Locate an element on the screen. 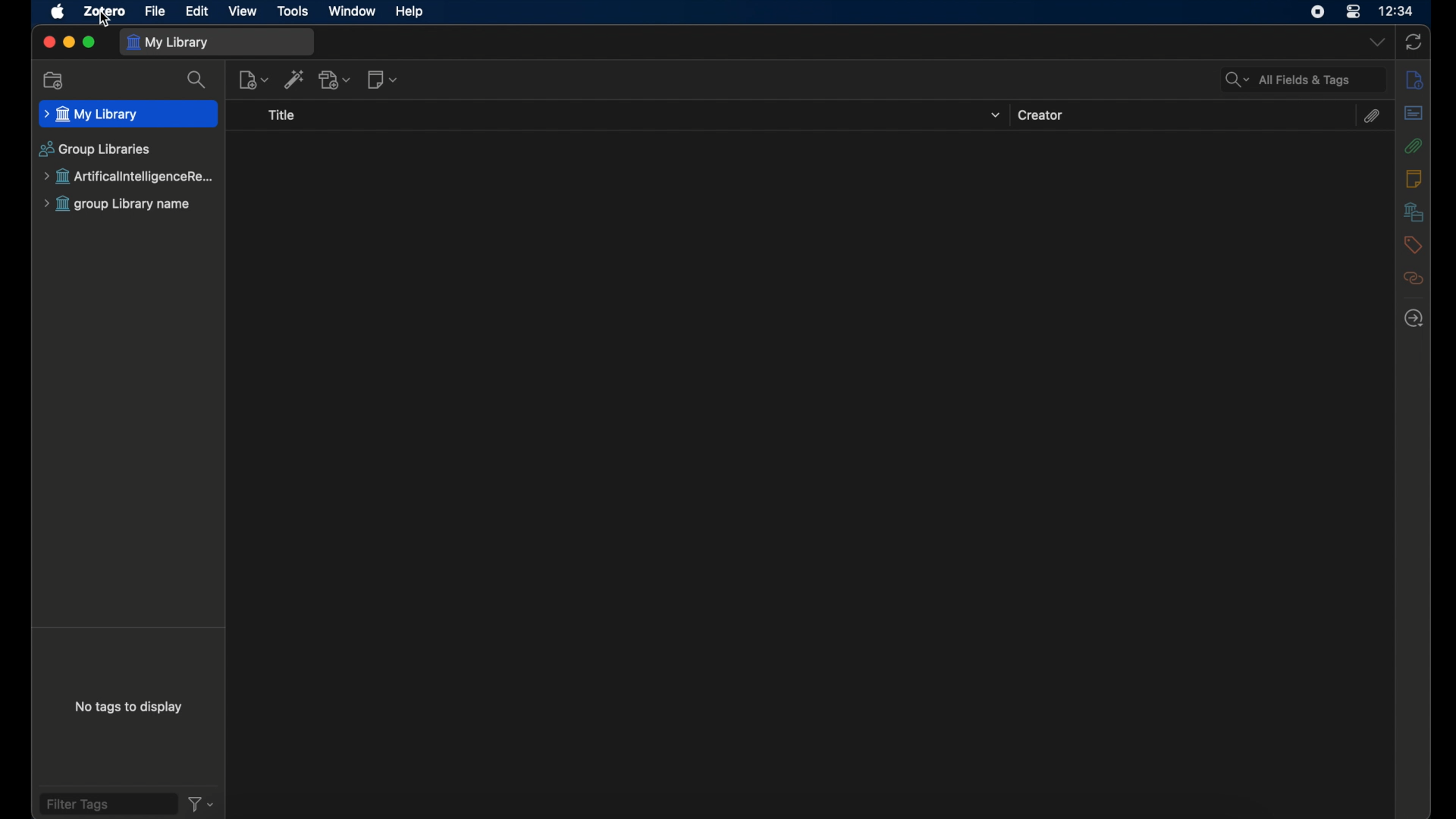  sync is located at coordinates (1414, 42).